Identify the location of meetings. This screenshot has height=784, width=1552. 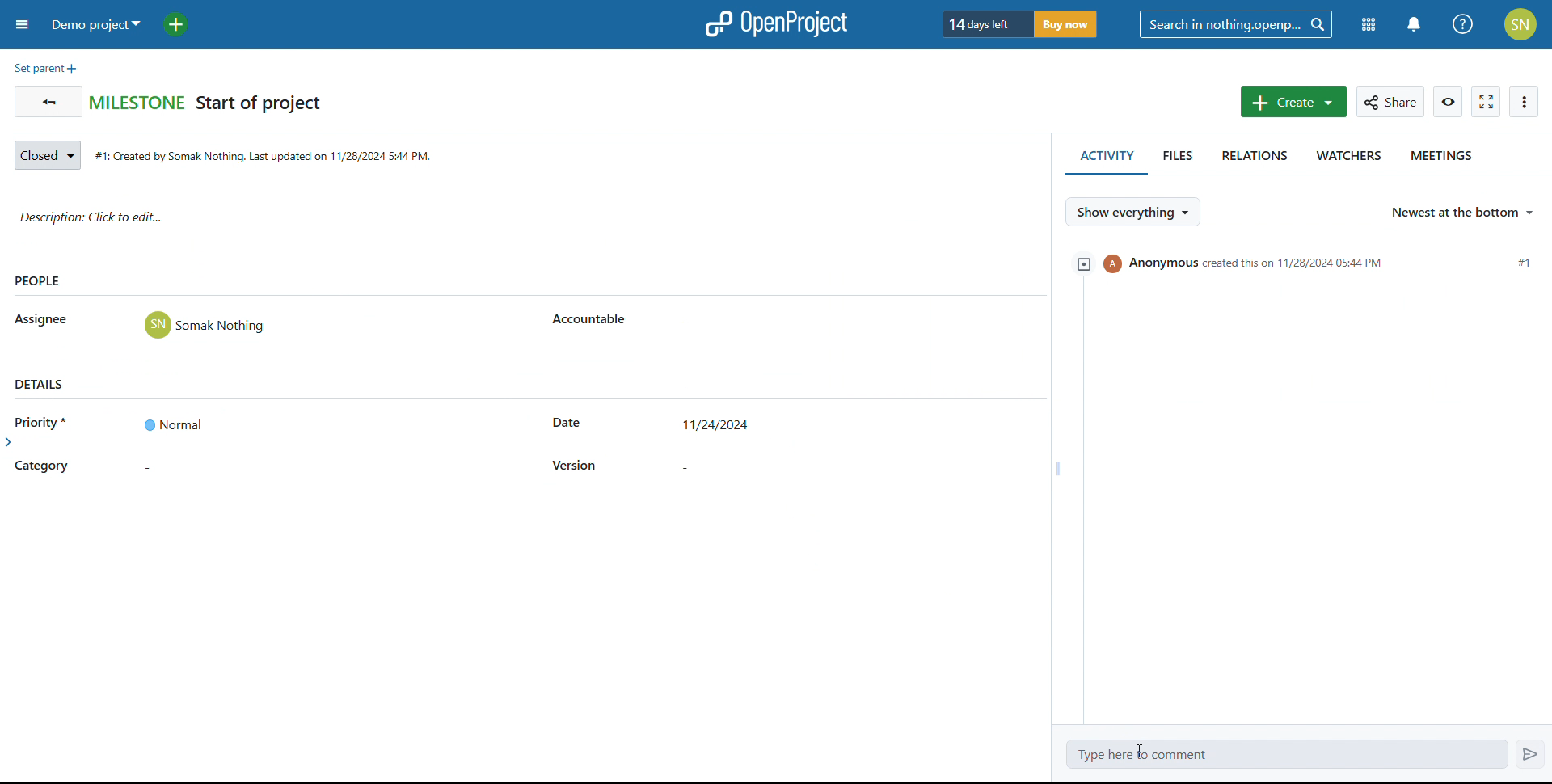
(1444, 159).